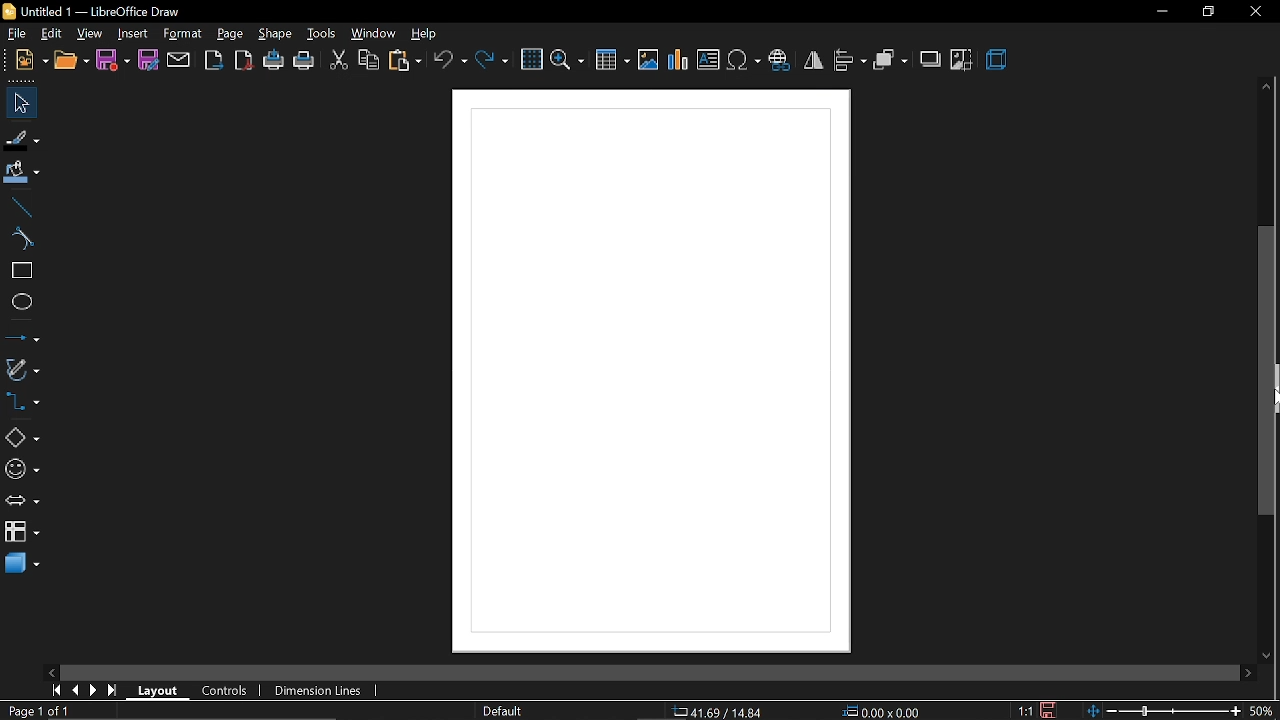 The width and height of the screenshot is (1280, 720). Describe the element at coordinates (31, 62) in the screenshot. I see `new` at that location.